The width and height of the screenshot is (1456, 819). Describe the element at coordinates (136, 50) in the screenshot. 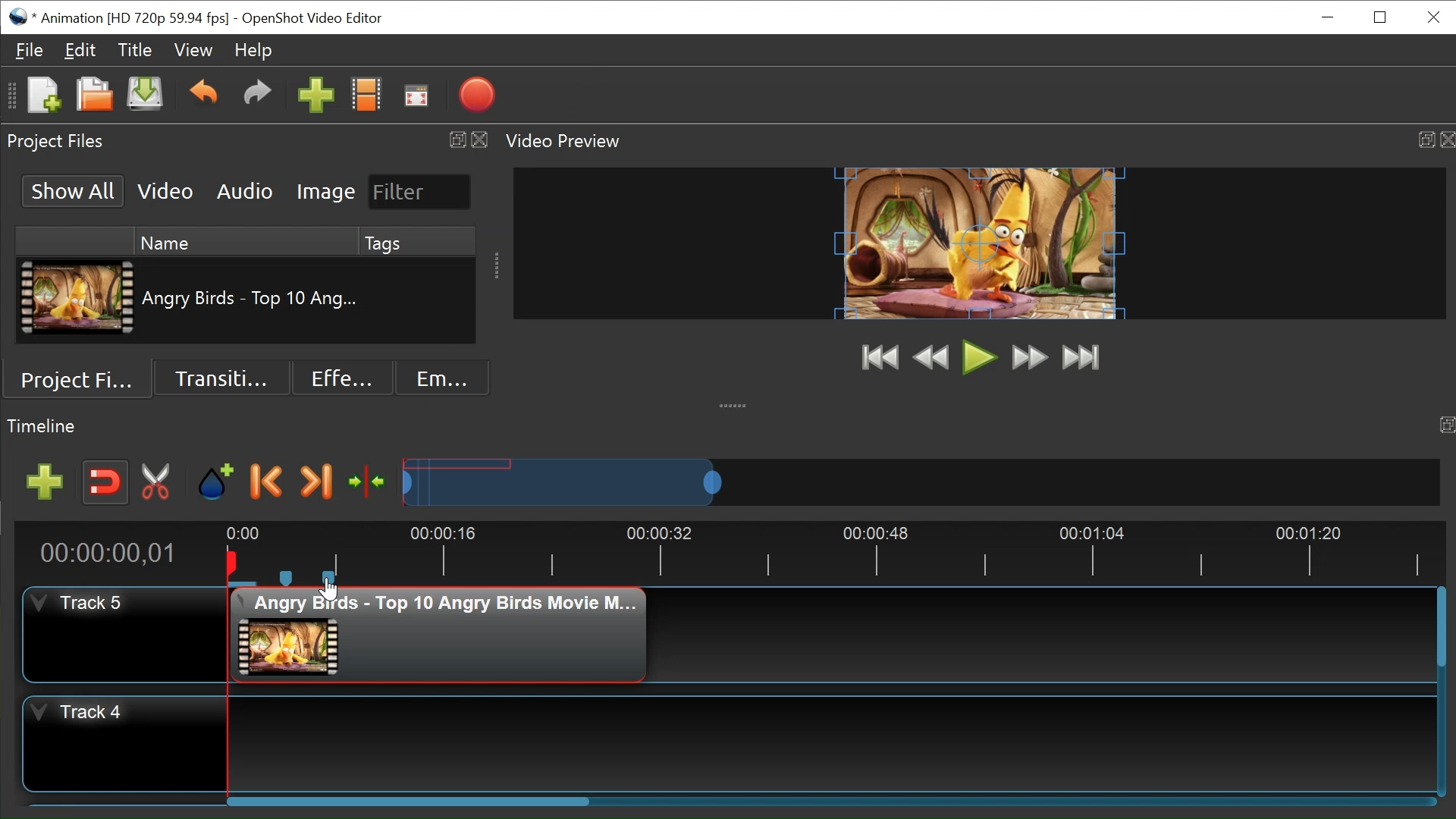

I see `Title` at that location.